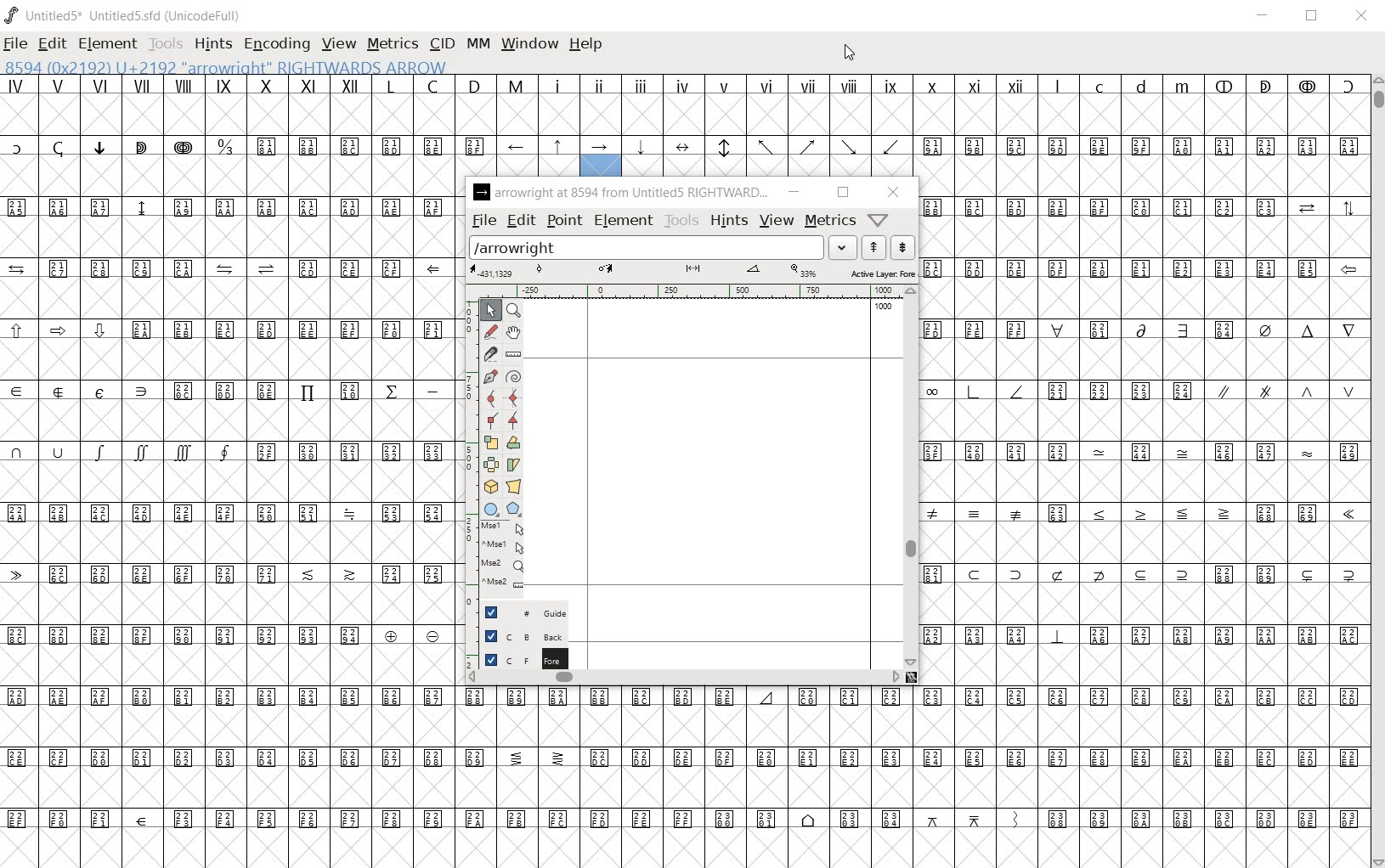  What do you see at coordinates (541, 103) in the screenshot?
I see `gylph characters` at bounding box center [541, 103].